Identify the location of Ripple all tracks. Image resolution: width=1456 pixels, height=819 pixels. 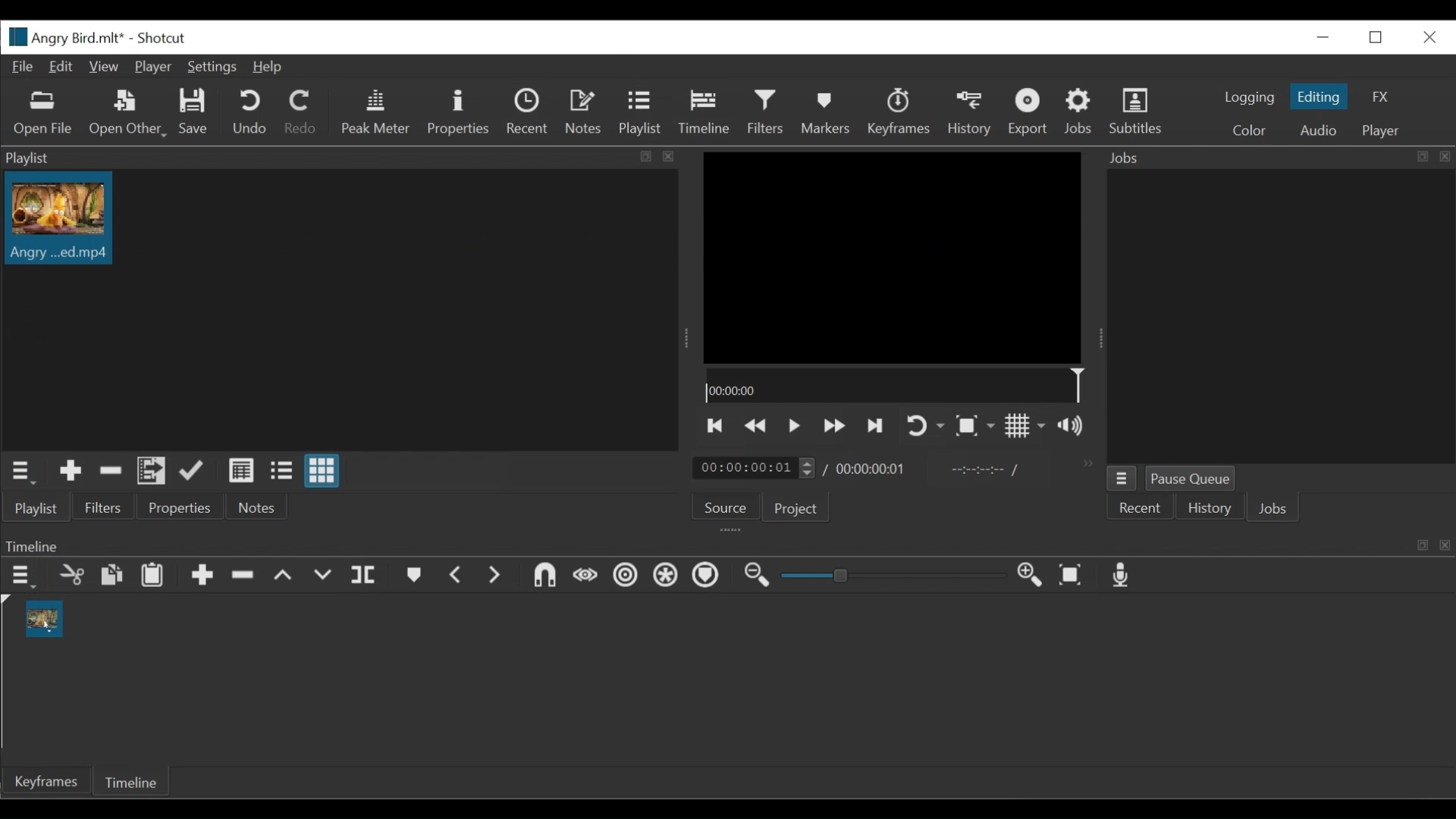
(667, 576).